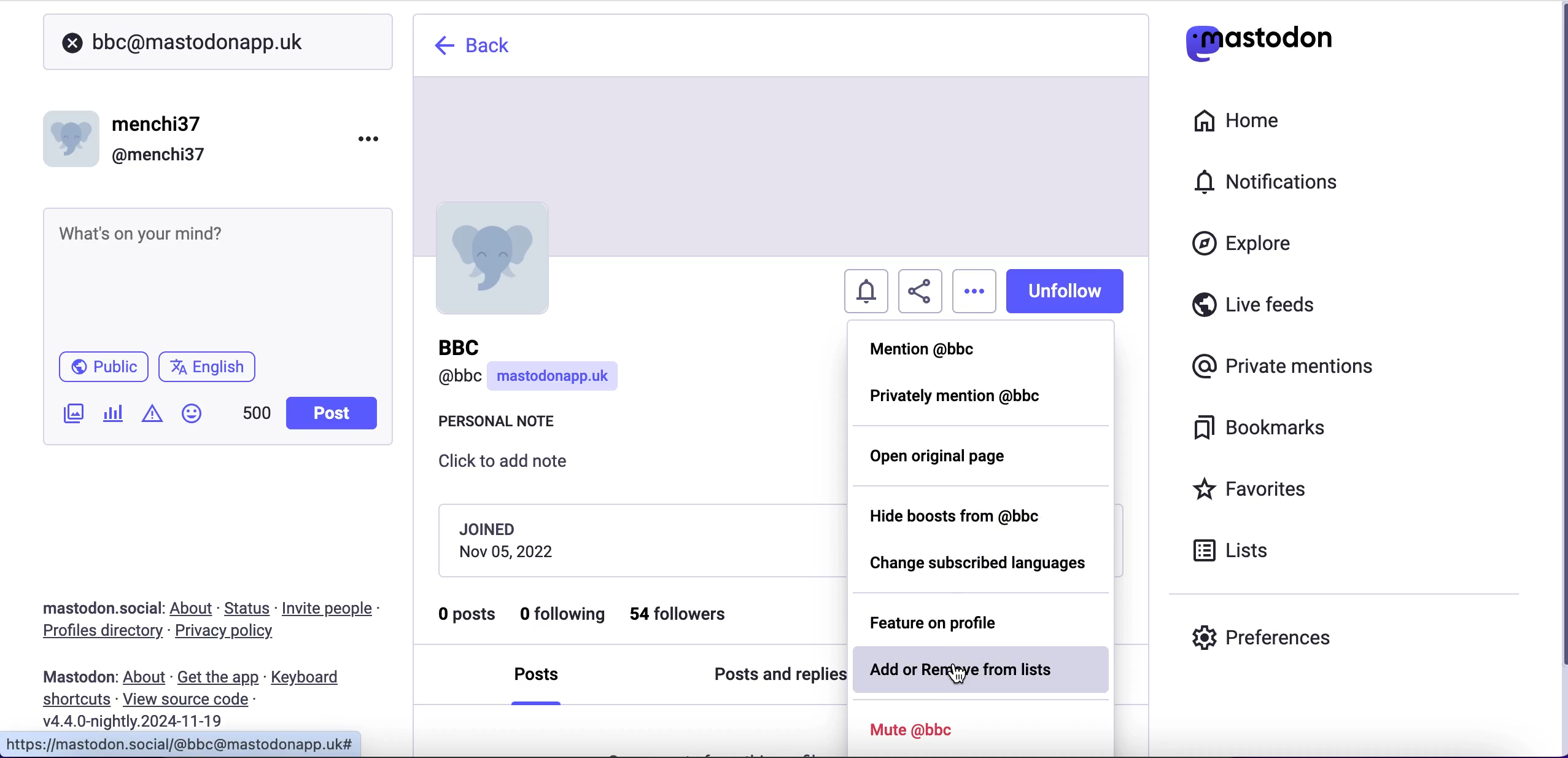 The width and height of the screenshot is (1568, 758). What do you see at coordinates (219, 276) in the screenshot?
I see `post what's n your mind` at bounding box center [219, 276].